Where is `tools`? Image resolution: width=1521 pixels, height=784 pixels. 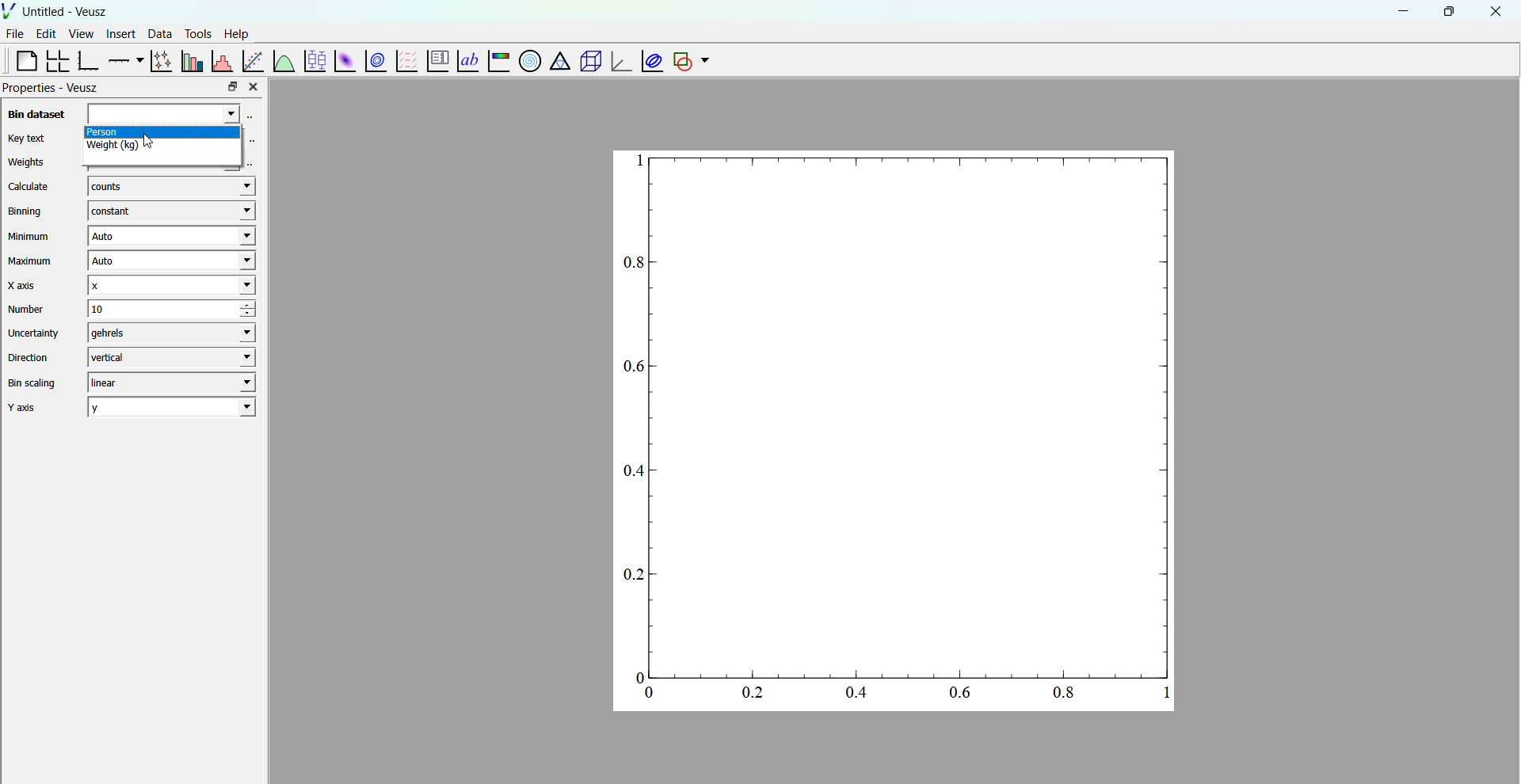
tools is located at coordinates (196, 33).